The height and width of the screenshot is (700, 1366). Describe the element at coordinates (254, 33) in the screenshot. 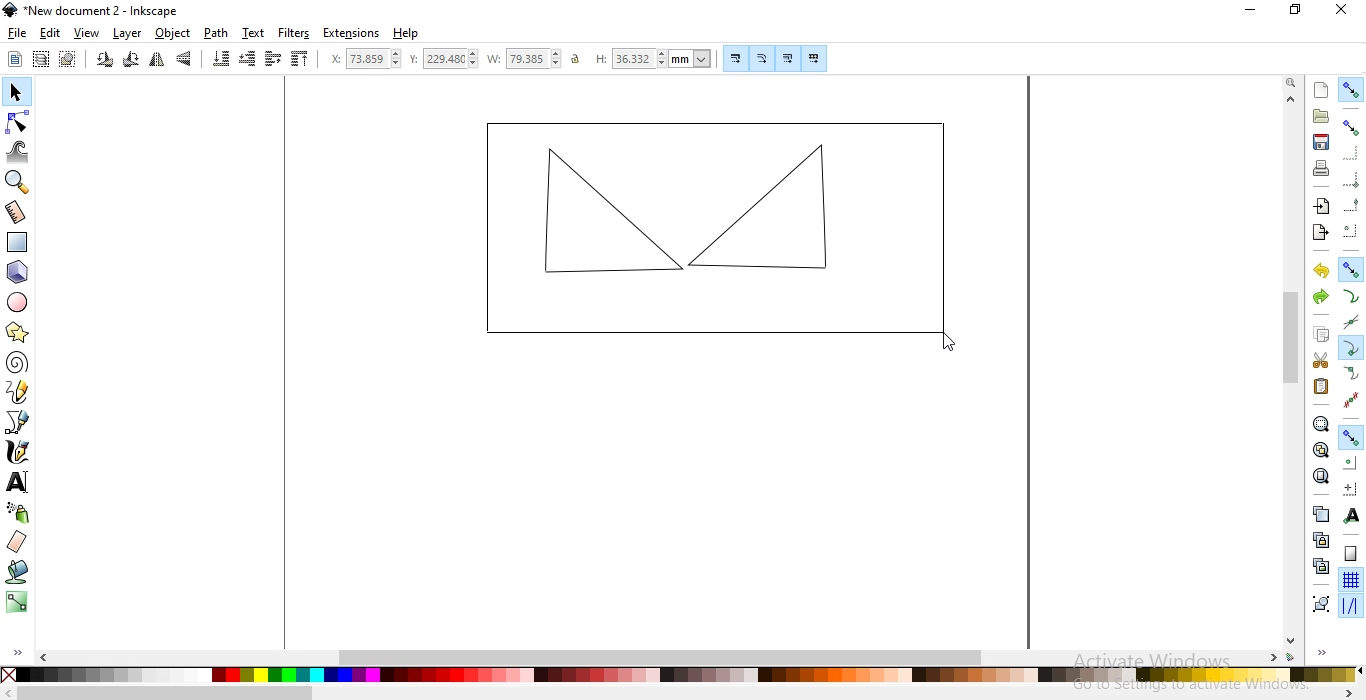

I see `text` at that location.